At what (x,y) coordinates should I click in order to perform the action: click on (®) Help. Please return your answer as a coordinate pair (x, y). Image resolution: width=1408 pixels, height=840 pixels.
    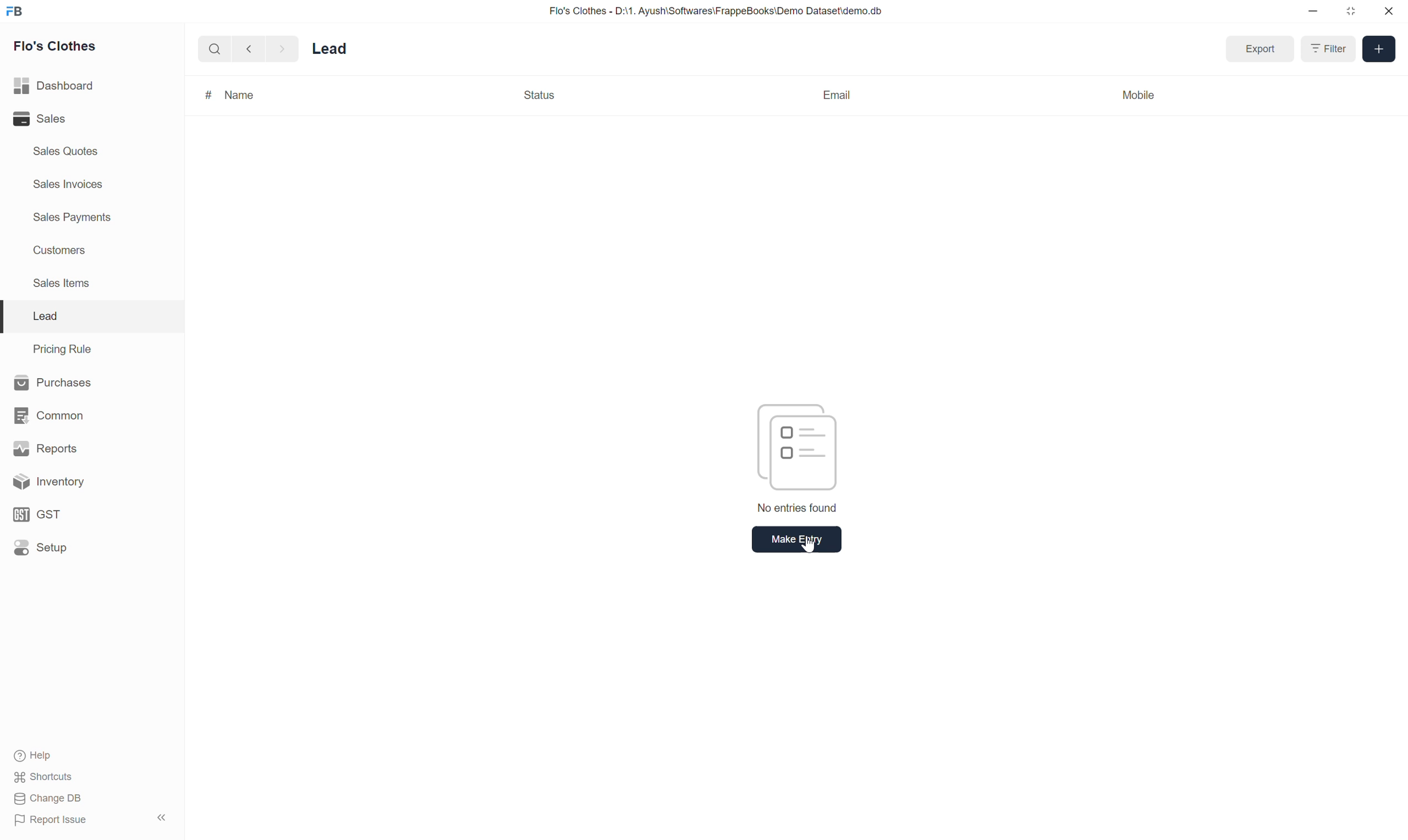
    Looking at the image, I should click on (40, 753).